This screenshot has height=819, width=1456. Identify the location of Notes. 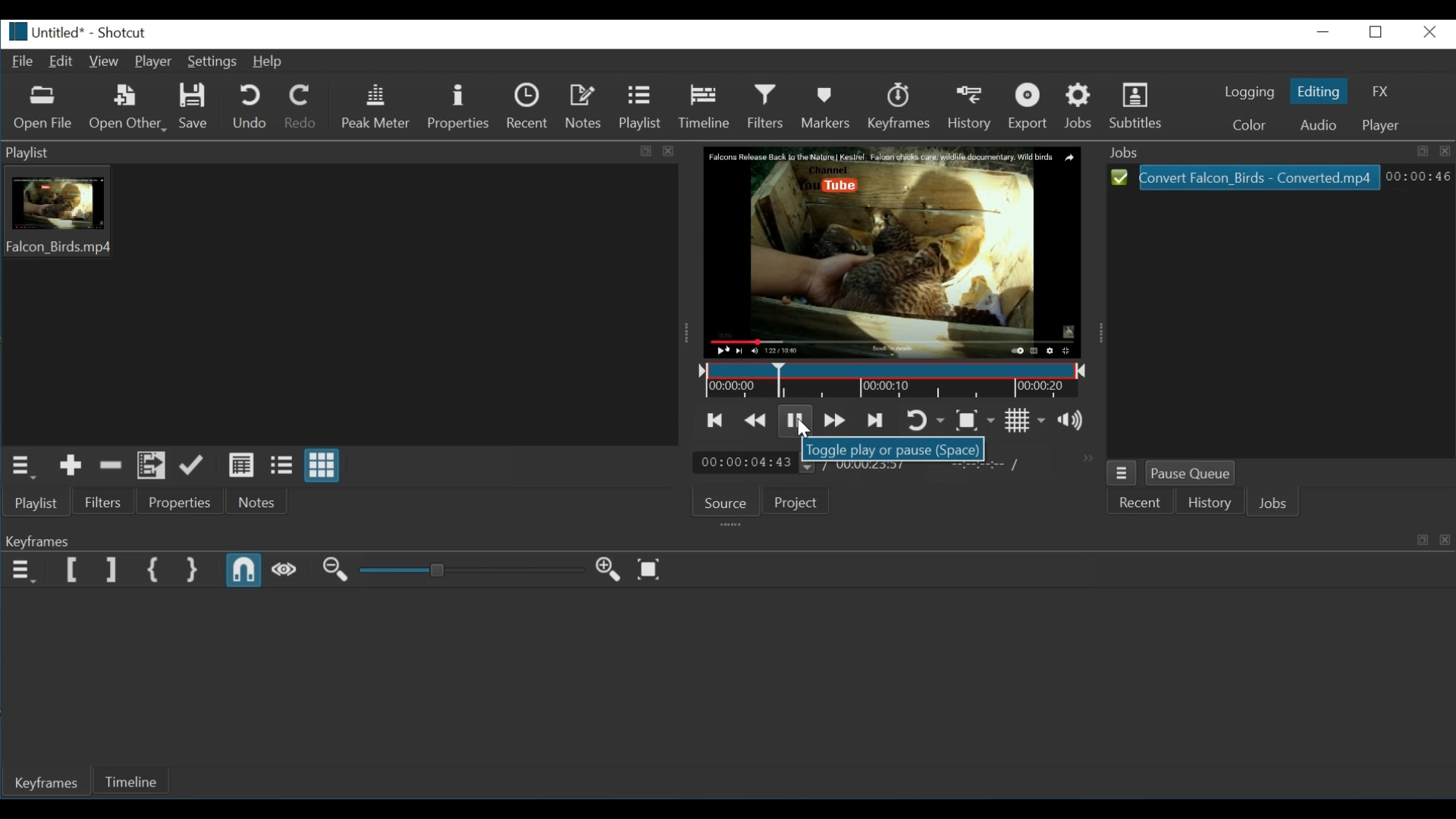
(254, 503).